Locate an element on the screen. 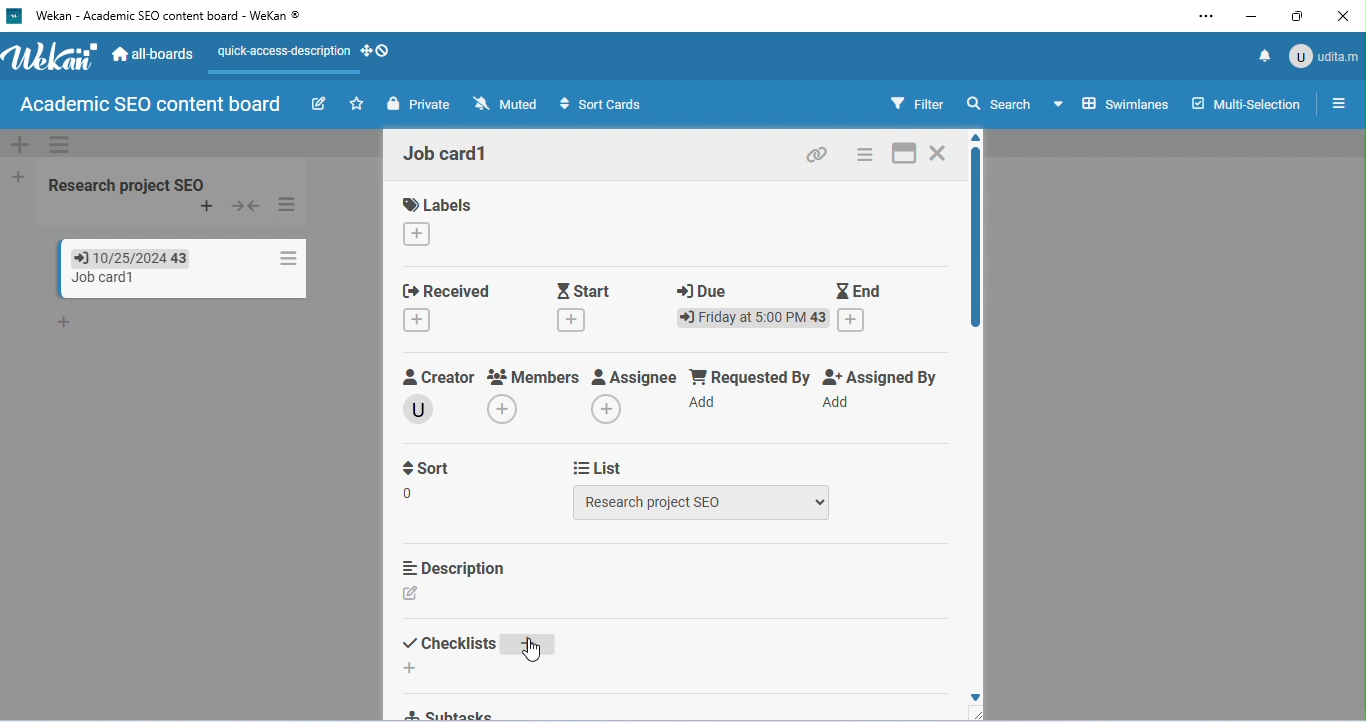 The image size is (1366, 722). creator is located at coordinates (440, 378).